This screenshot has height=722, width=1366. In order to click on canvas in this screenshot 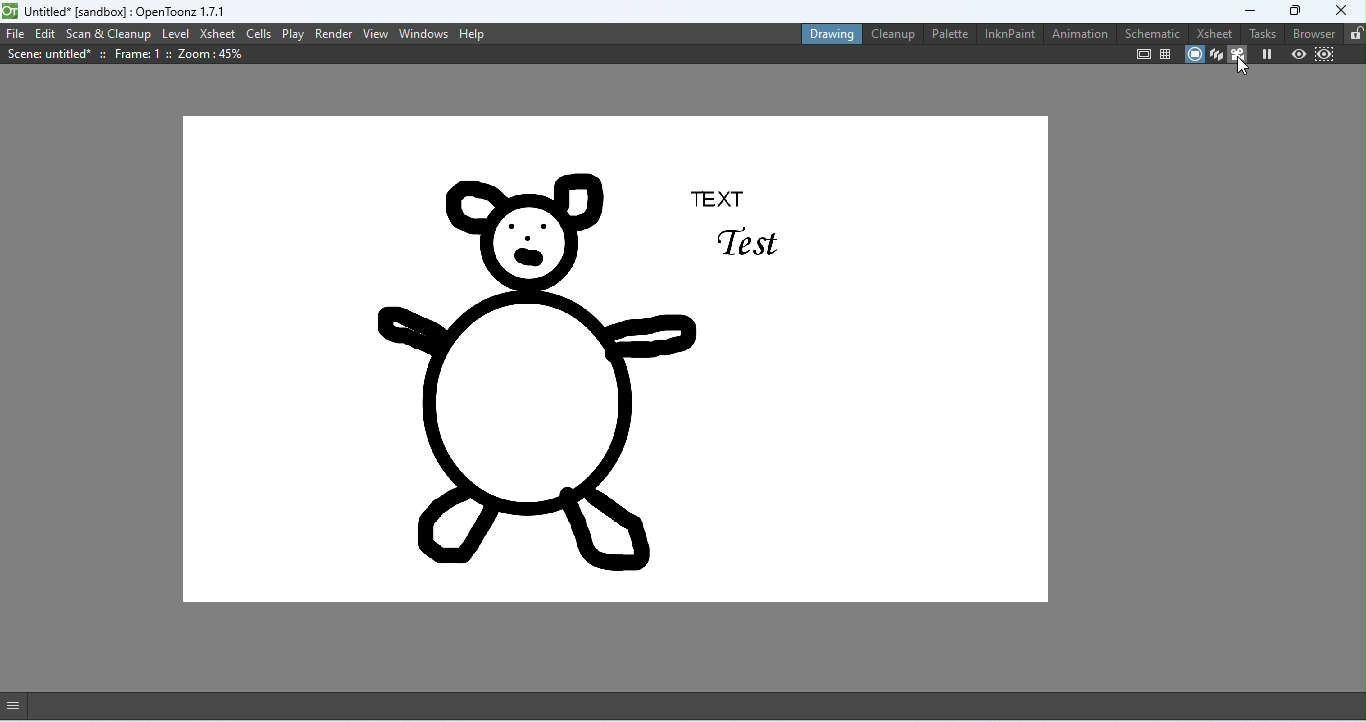, I will do `click(613, 363)`.